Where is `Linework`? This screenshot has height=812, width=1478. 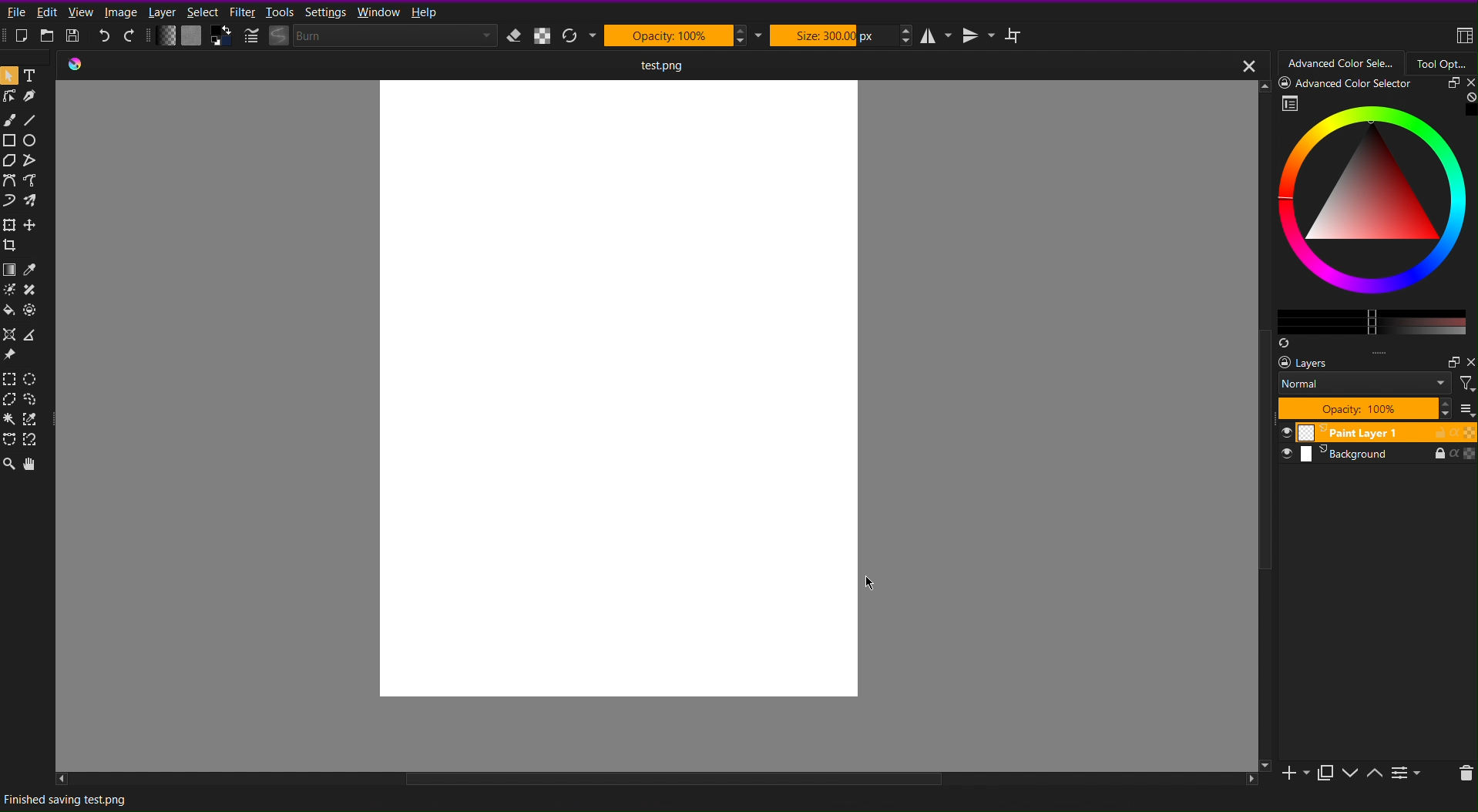 Linework is located at coordinates (9, 100).